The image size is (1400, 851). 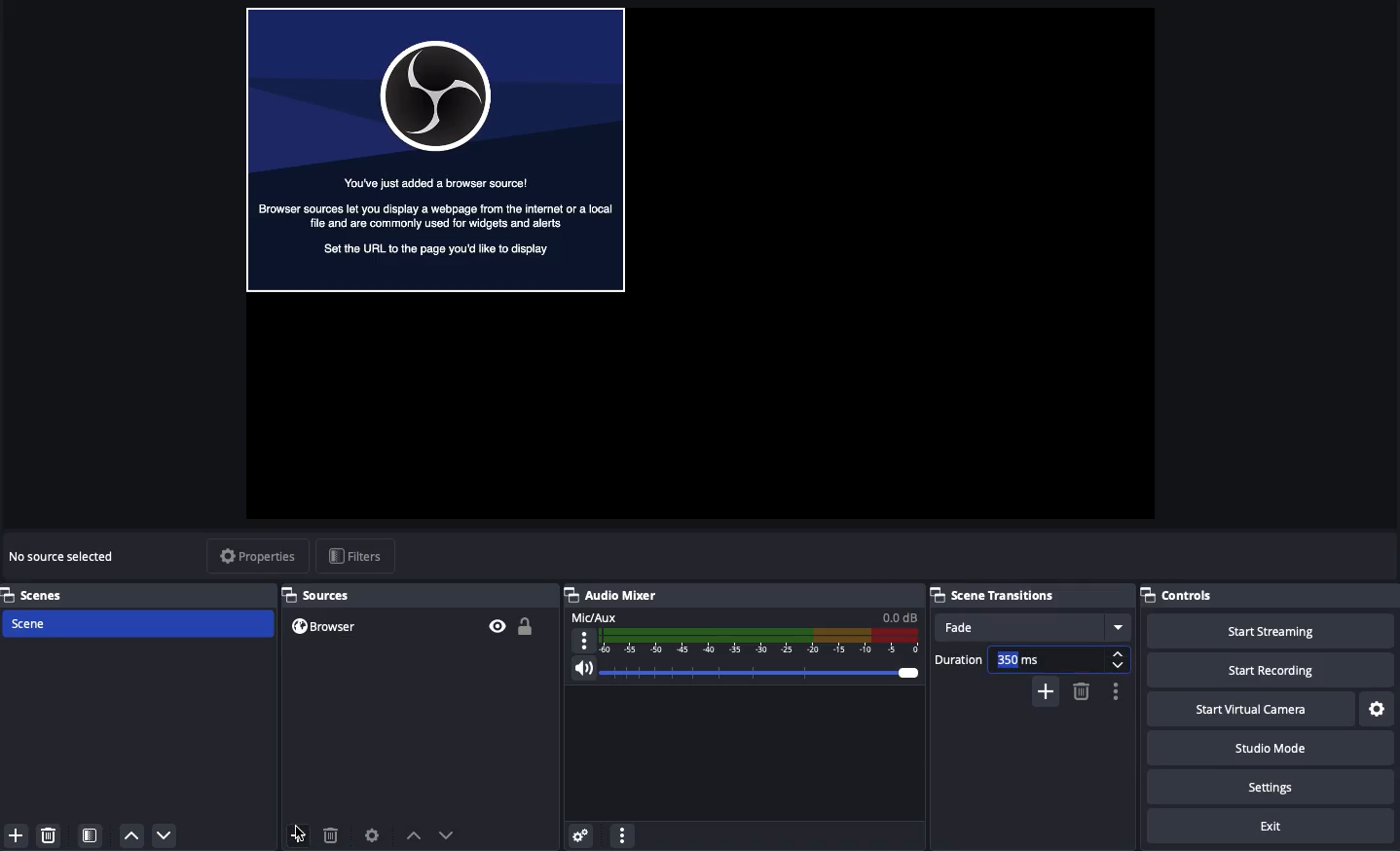 What do you see at coordinates (528, 625) in the screenshot?
I see `Unlocked` at bounding box center [528, 625].